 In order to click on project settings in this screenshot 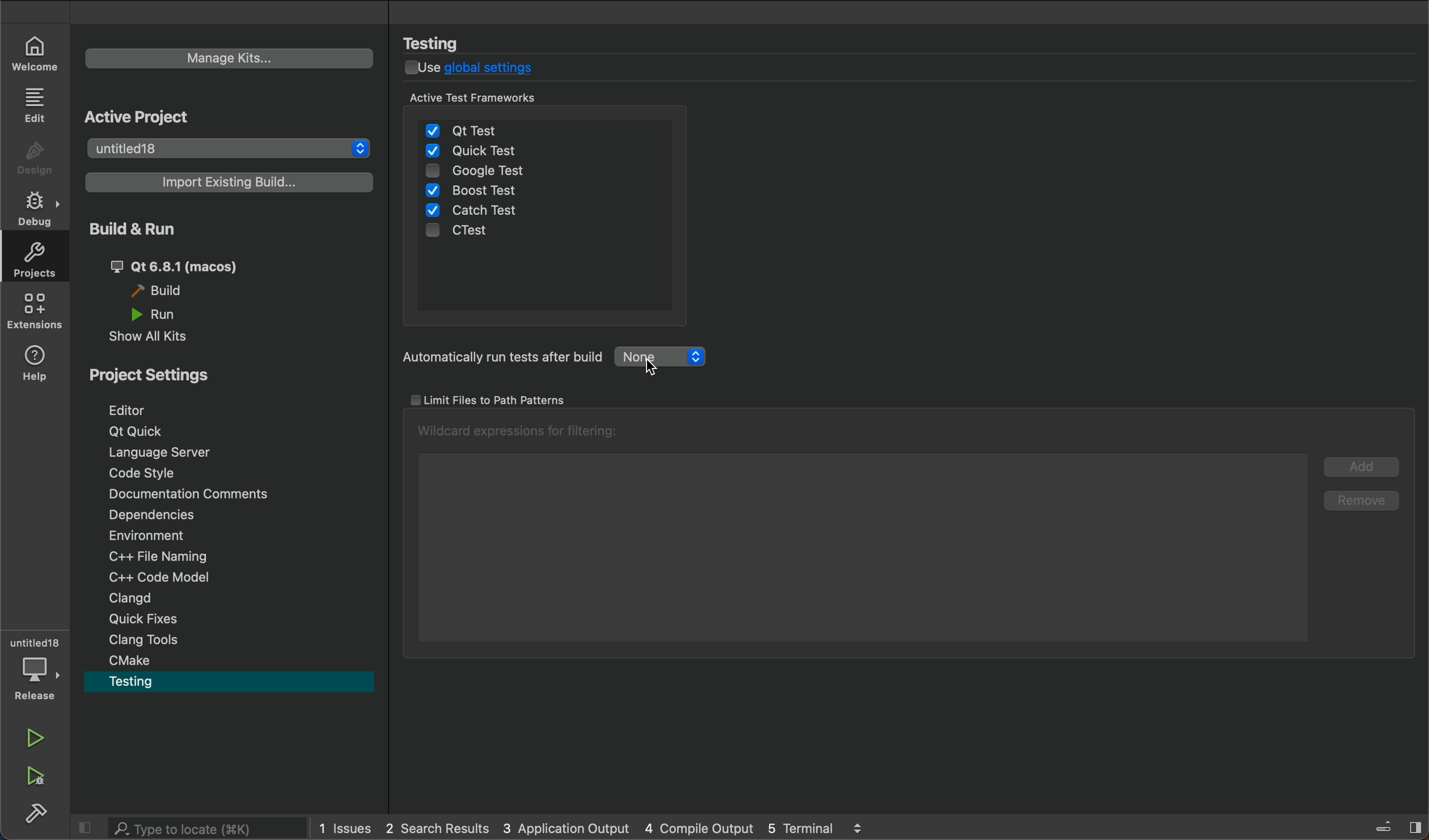, I will do `click(162, 374)`.